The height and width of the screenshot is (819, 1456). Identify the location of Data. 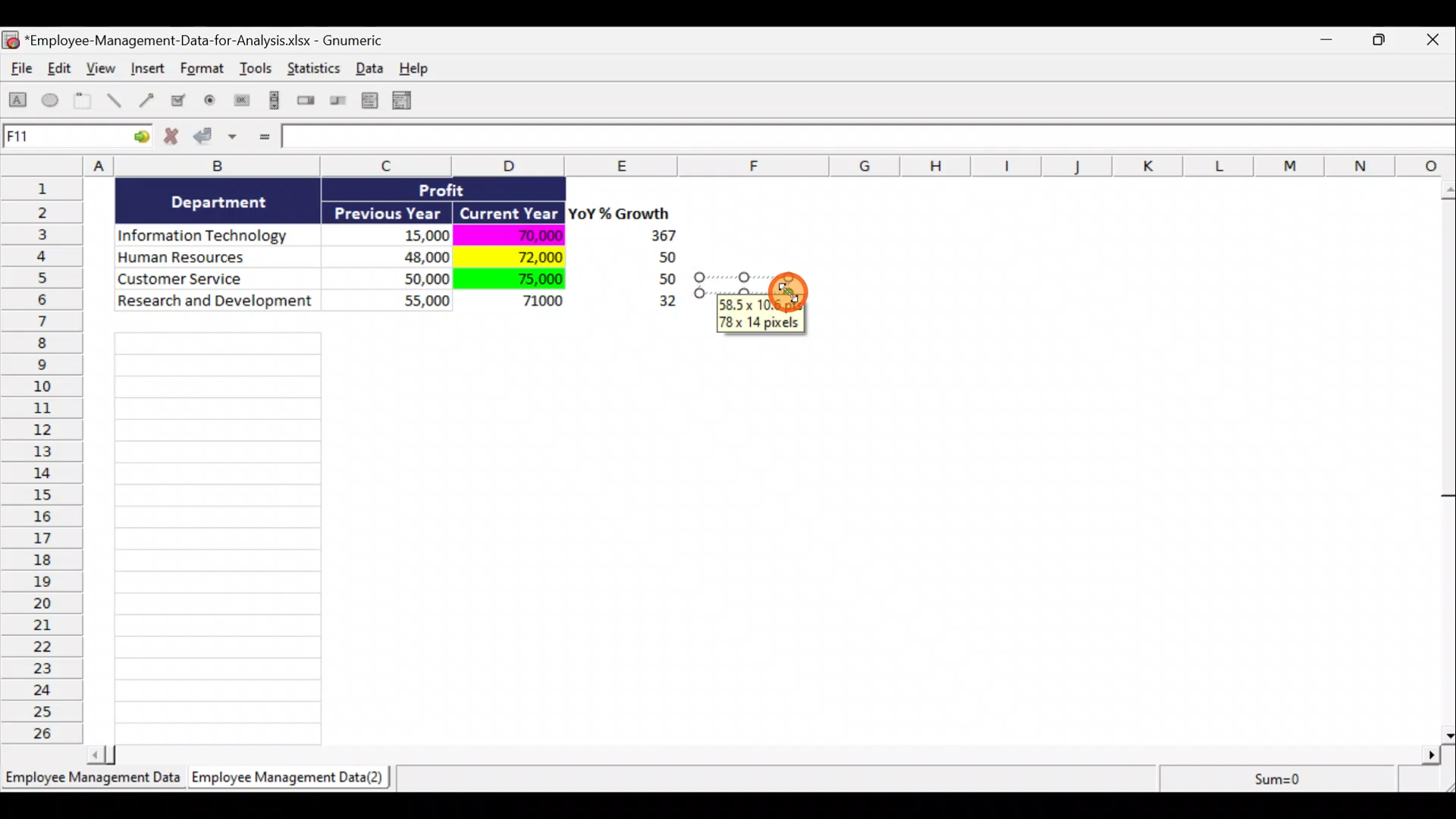
(374, 67).